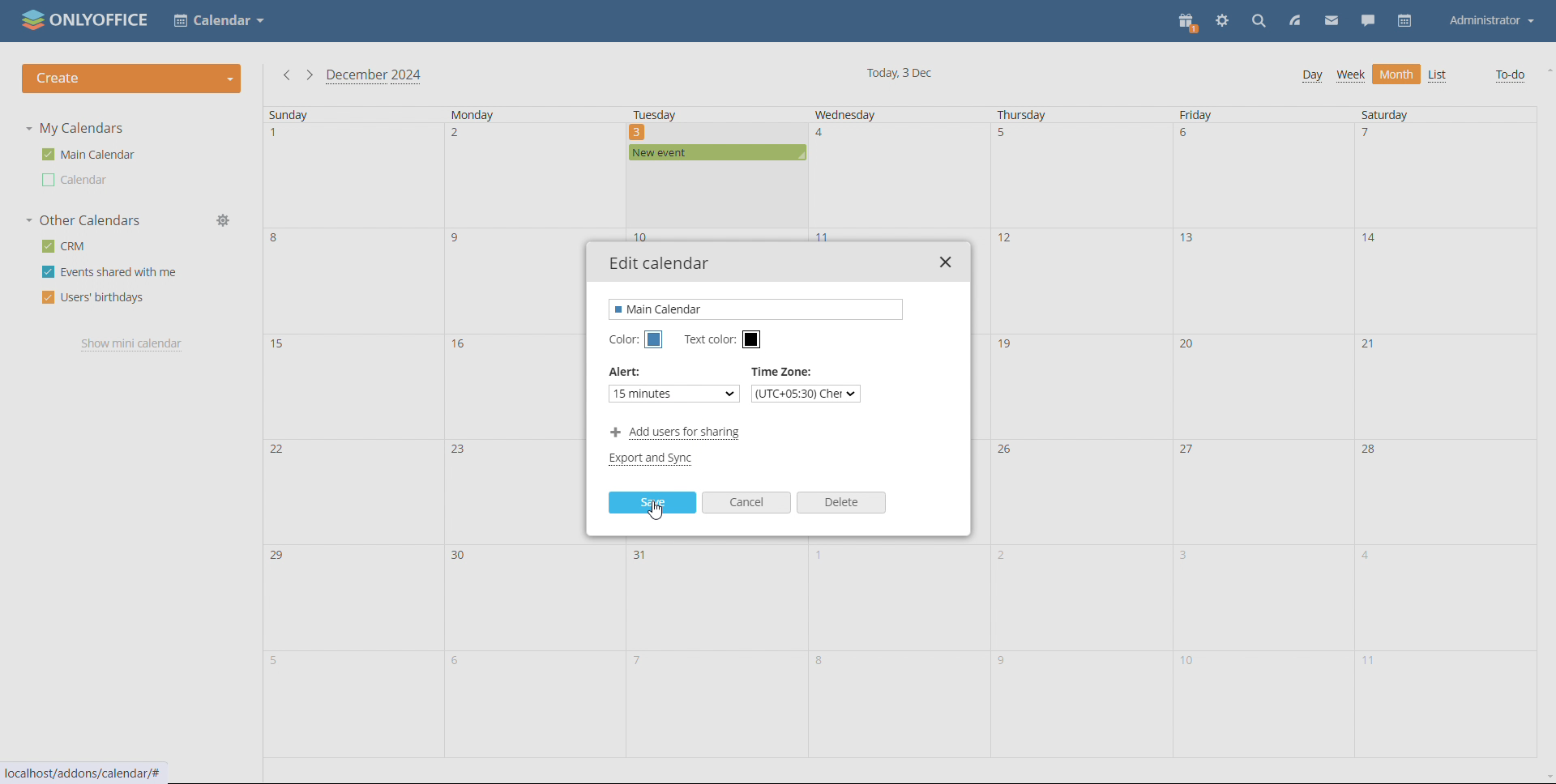 The height and width of the screenshot is (784, 1556). What do you see at coordinates (1080, 280) in the screenshot?
I see `date` at bounding box center [1080, 280].